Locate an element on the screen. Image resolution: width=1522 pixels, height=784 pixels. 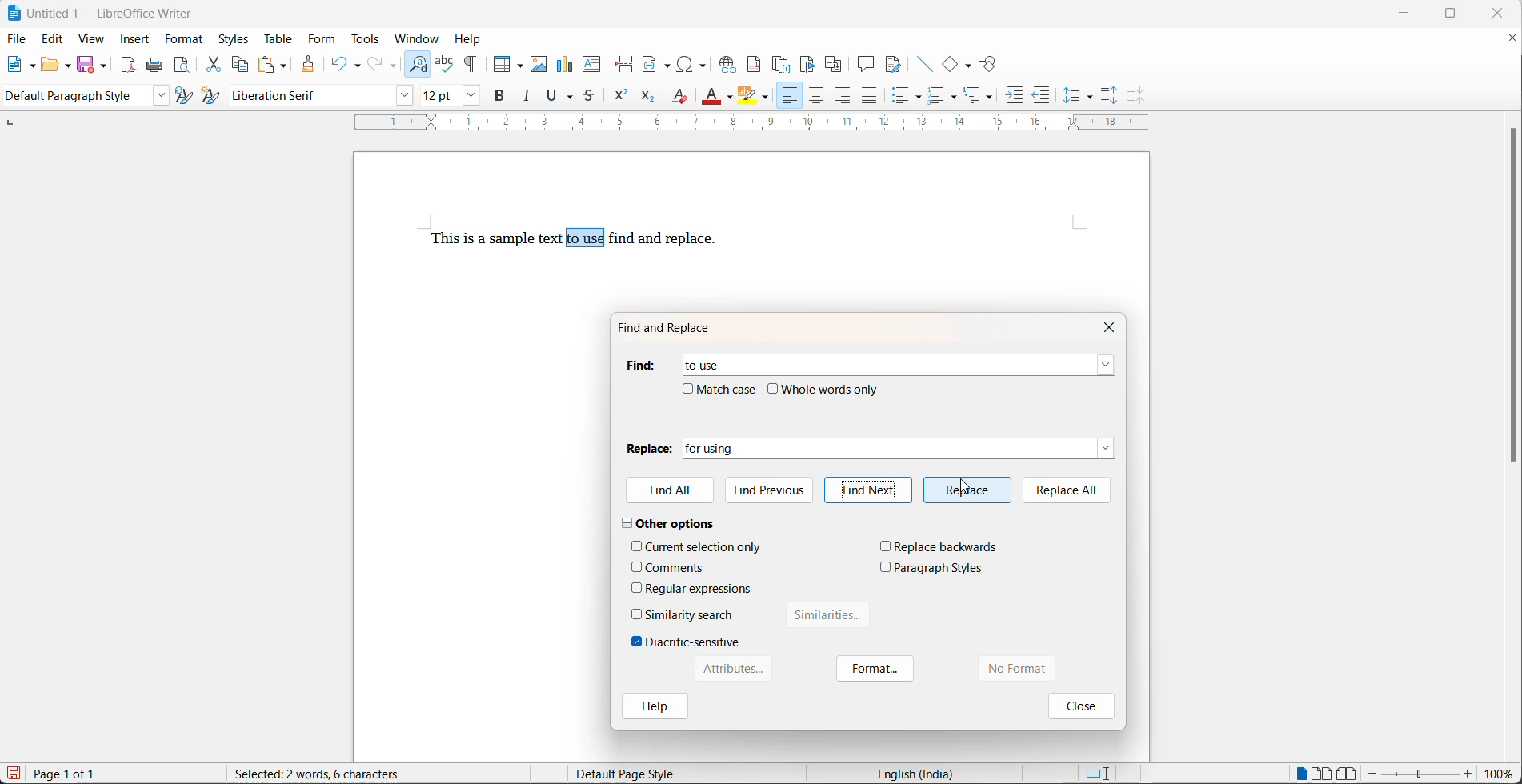
checkbox is located at coordinates (637, 642).